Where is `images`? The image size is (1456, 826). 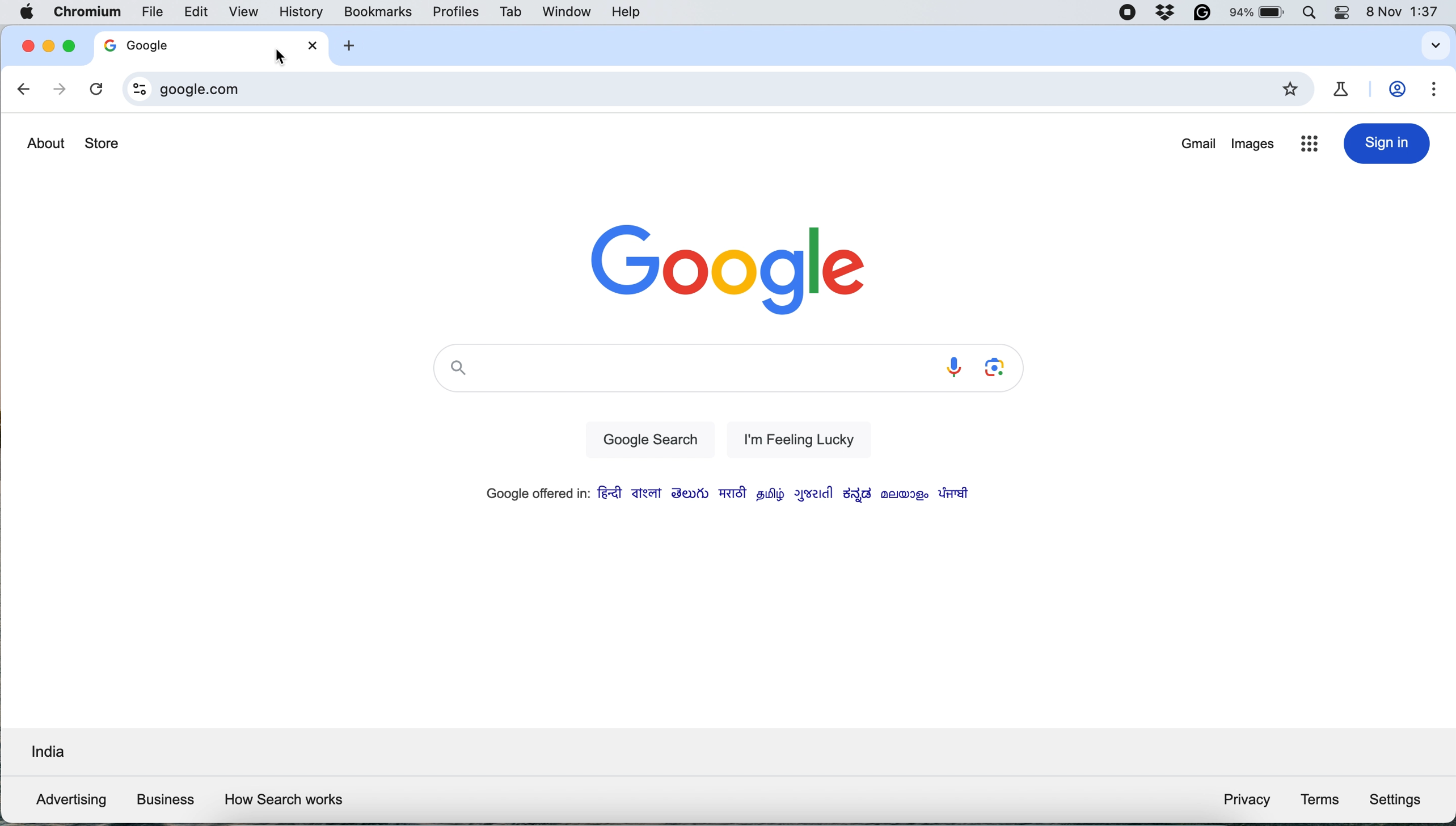
images is located at coordinates (1253, 147).